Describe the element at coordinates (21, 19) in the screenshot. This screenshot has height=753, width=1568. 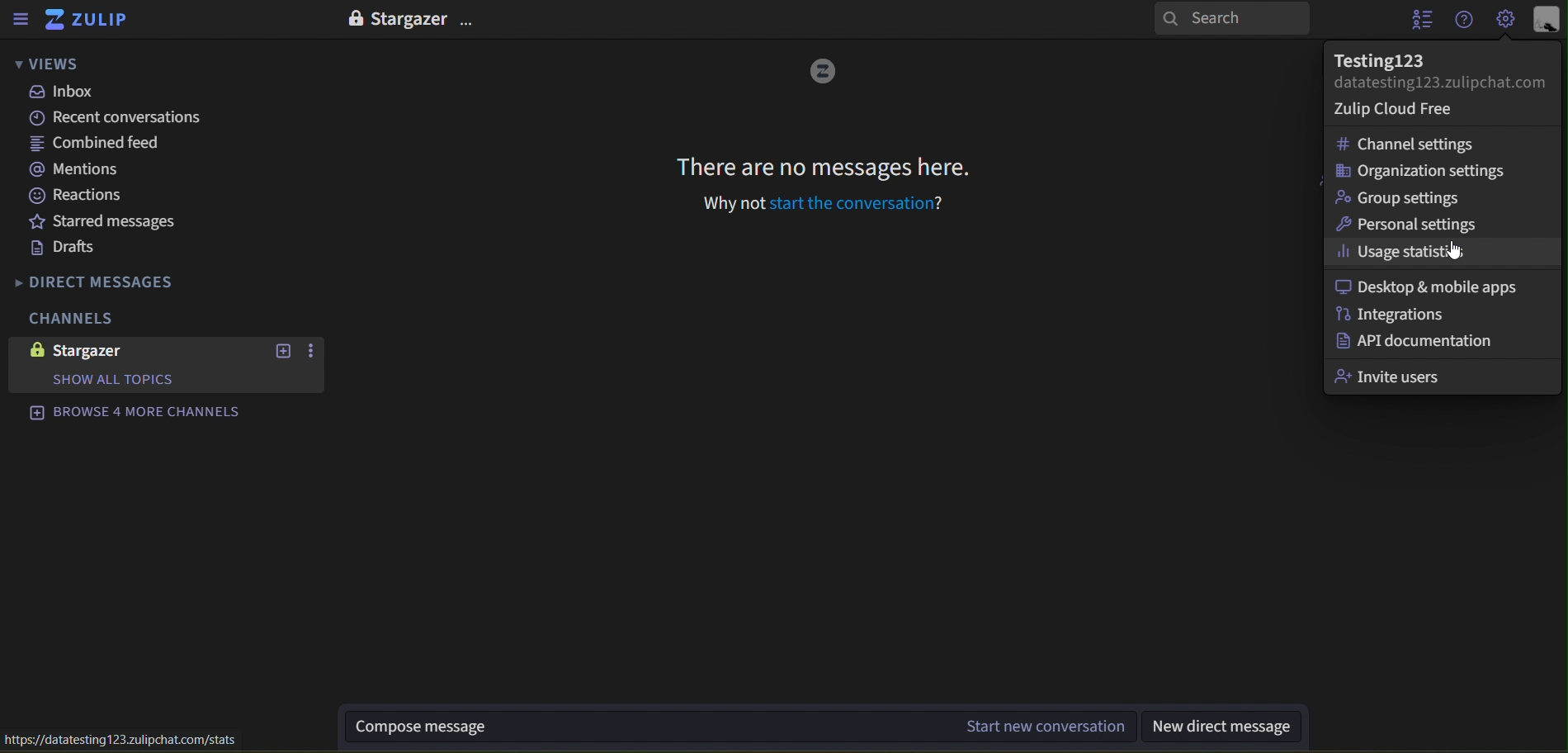
I see `hide sidebar` at that location.